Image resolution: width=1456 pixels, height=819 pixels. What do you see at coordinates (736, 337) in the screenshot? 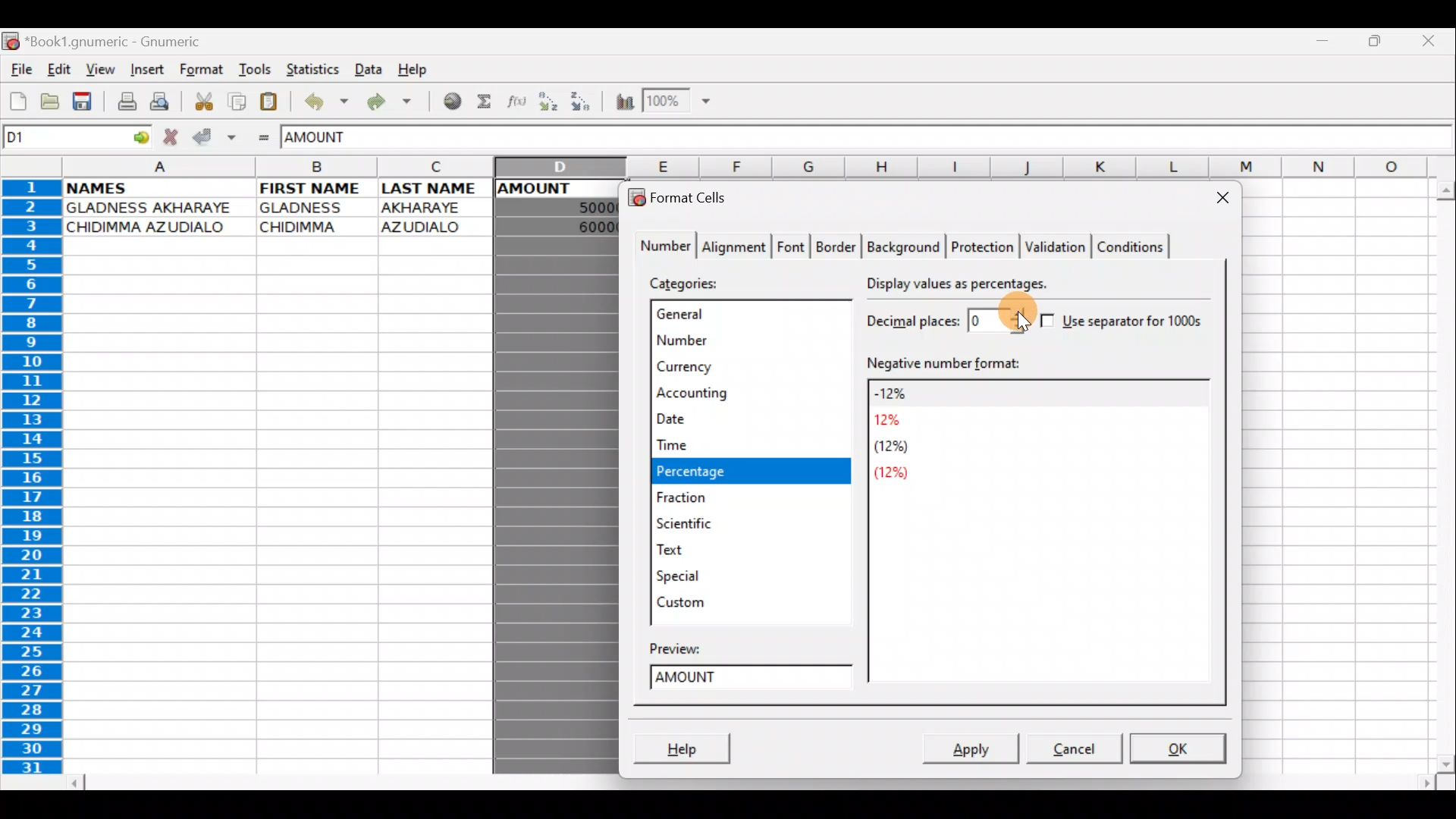
I see `Number` at bounding box center [736, 337].